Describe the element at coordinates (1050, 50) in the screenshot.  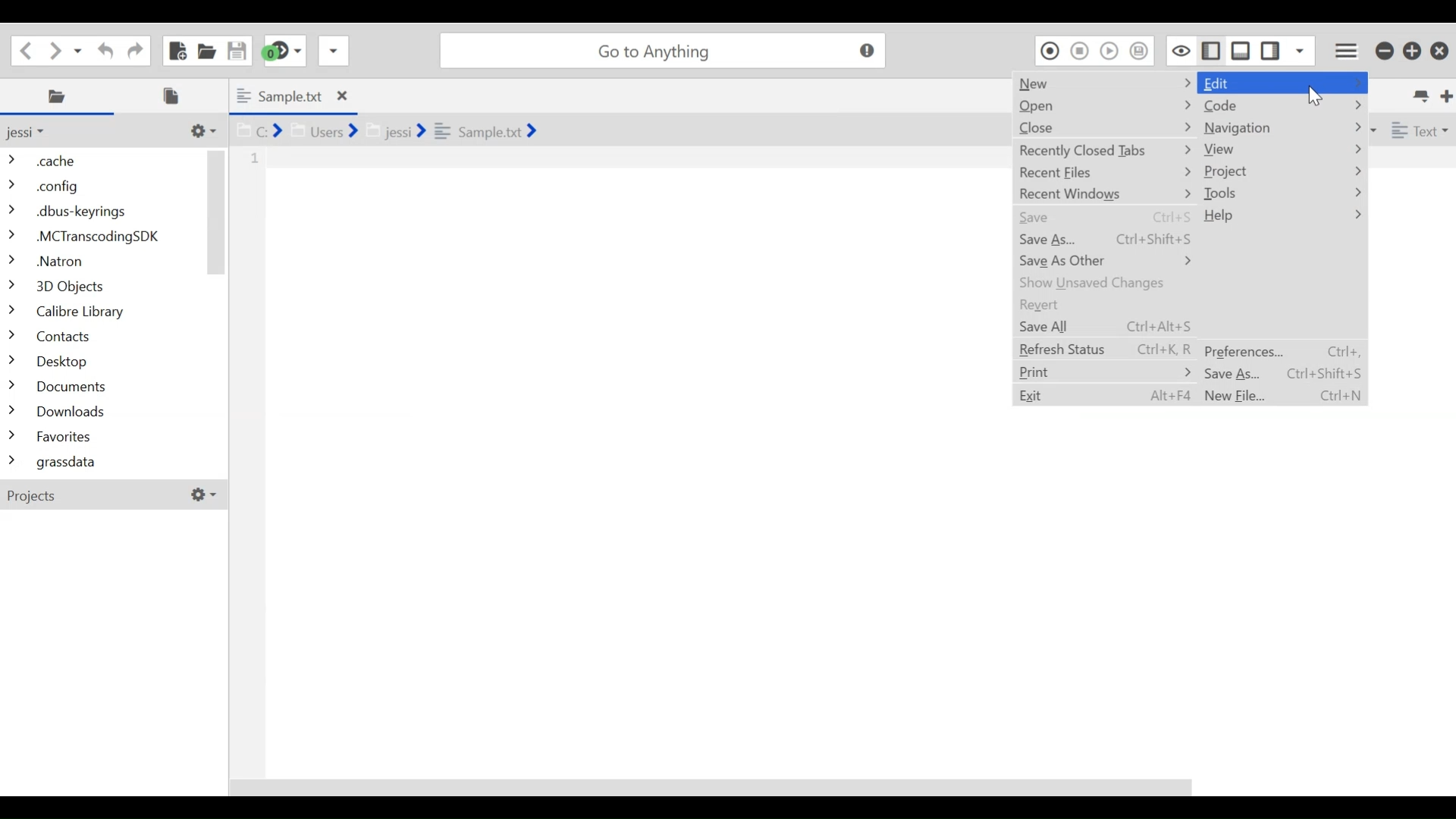
I see `Record Macro` at that location.